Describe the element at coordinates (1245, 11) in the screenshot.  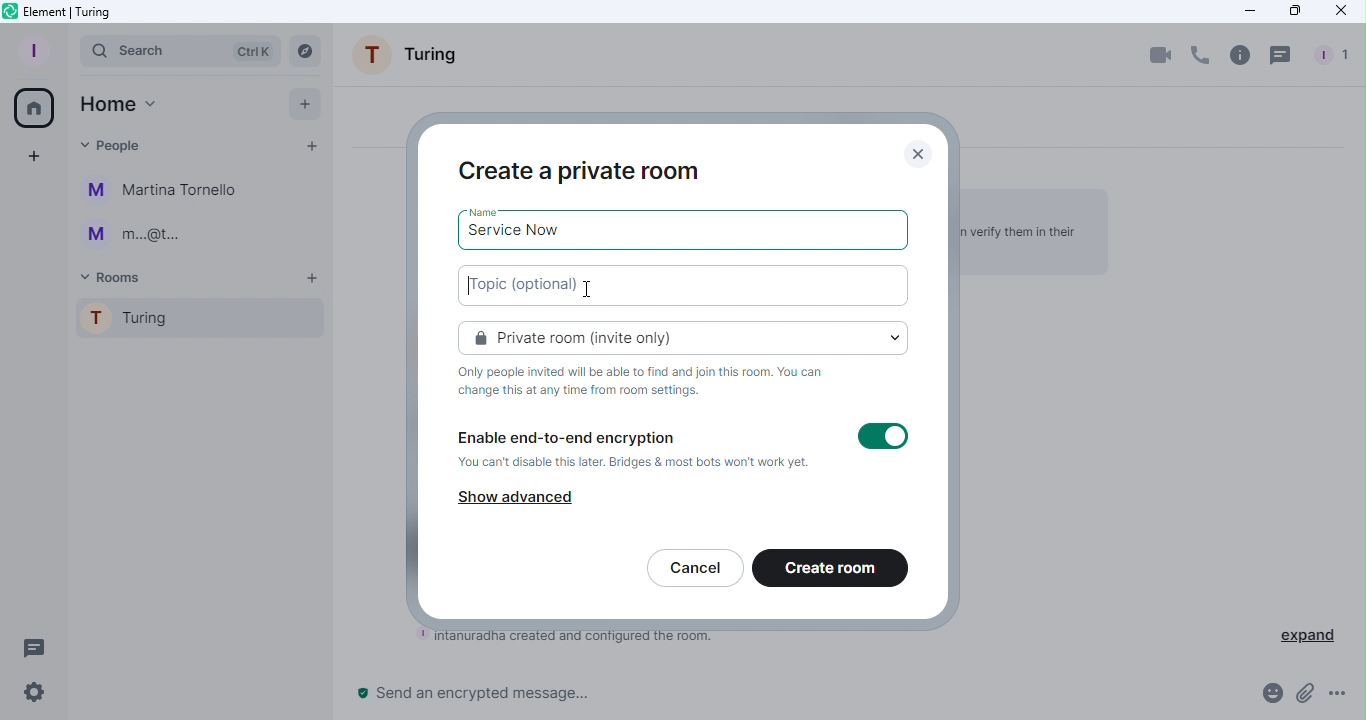
I see `Minimize` at that location.